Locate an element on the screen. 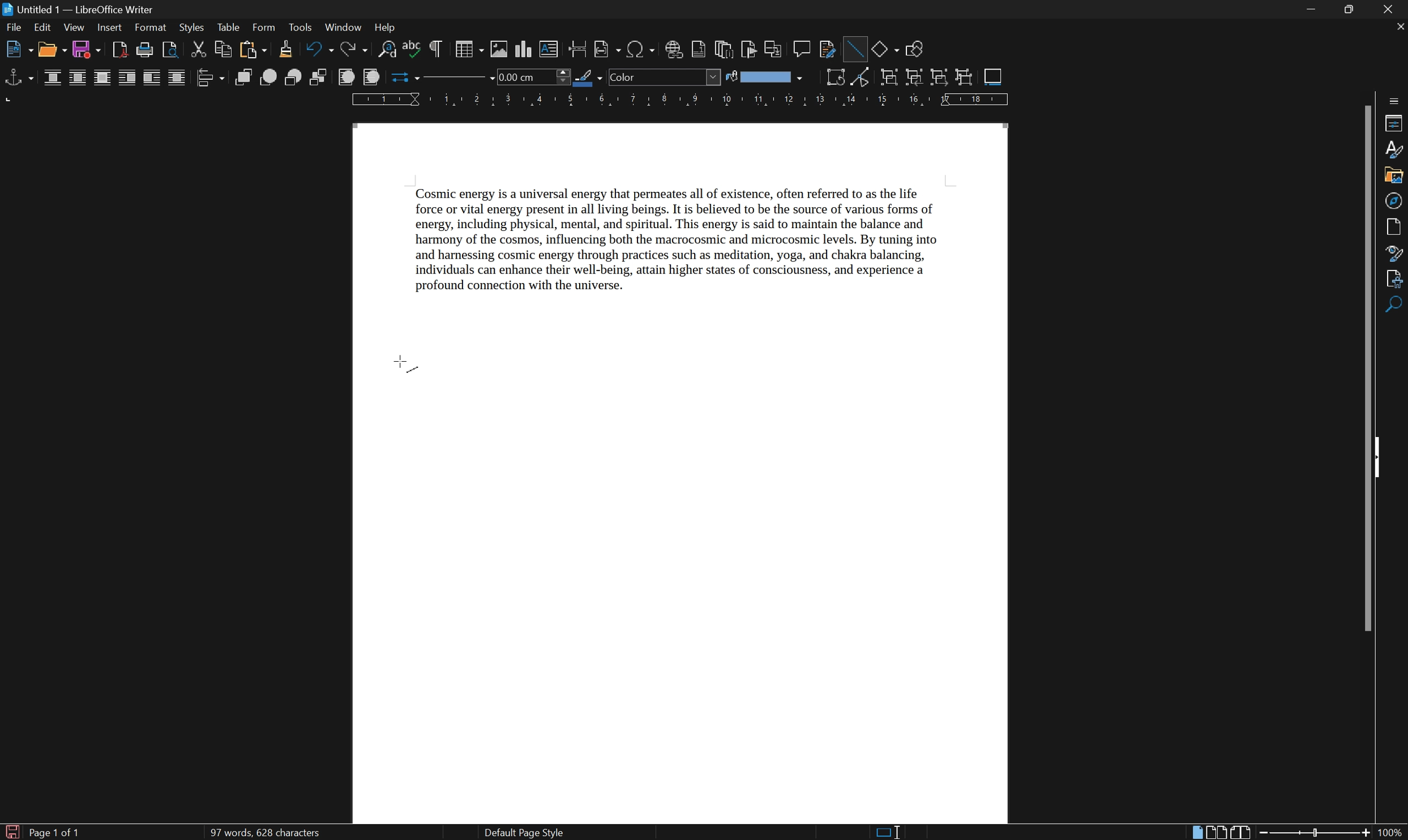  parallel is located at coordinates (79, 79).